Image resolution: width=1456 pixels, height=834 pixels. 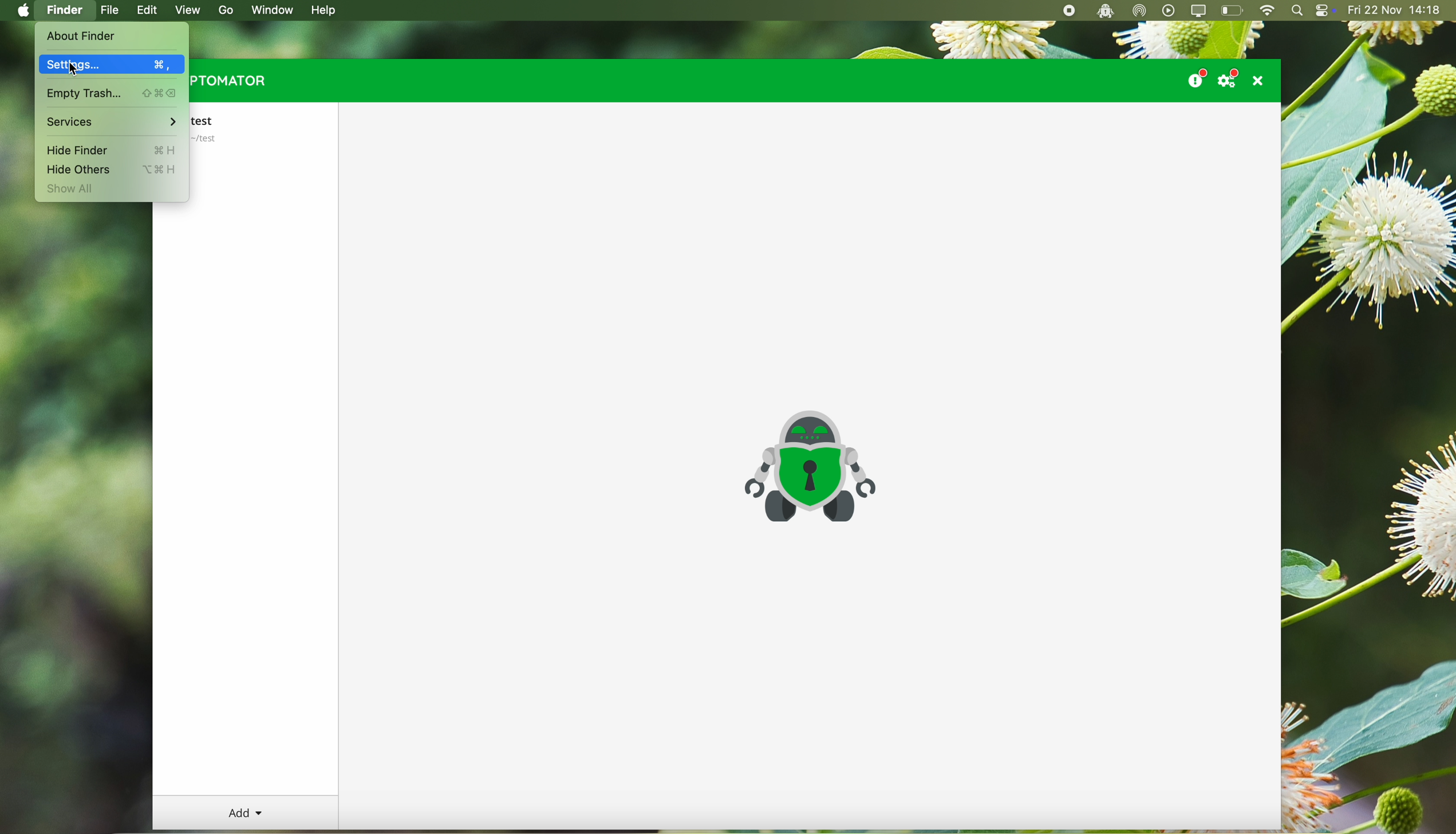 I want to click on services, so click(x=111, y=122).